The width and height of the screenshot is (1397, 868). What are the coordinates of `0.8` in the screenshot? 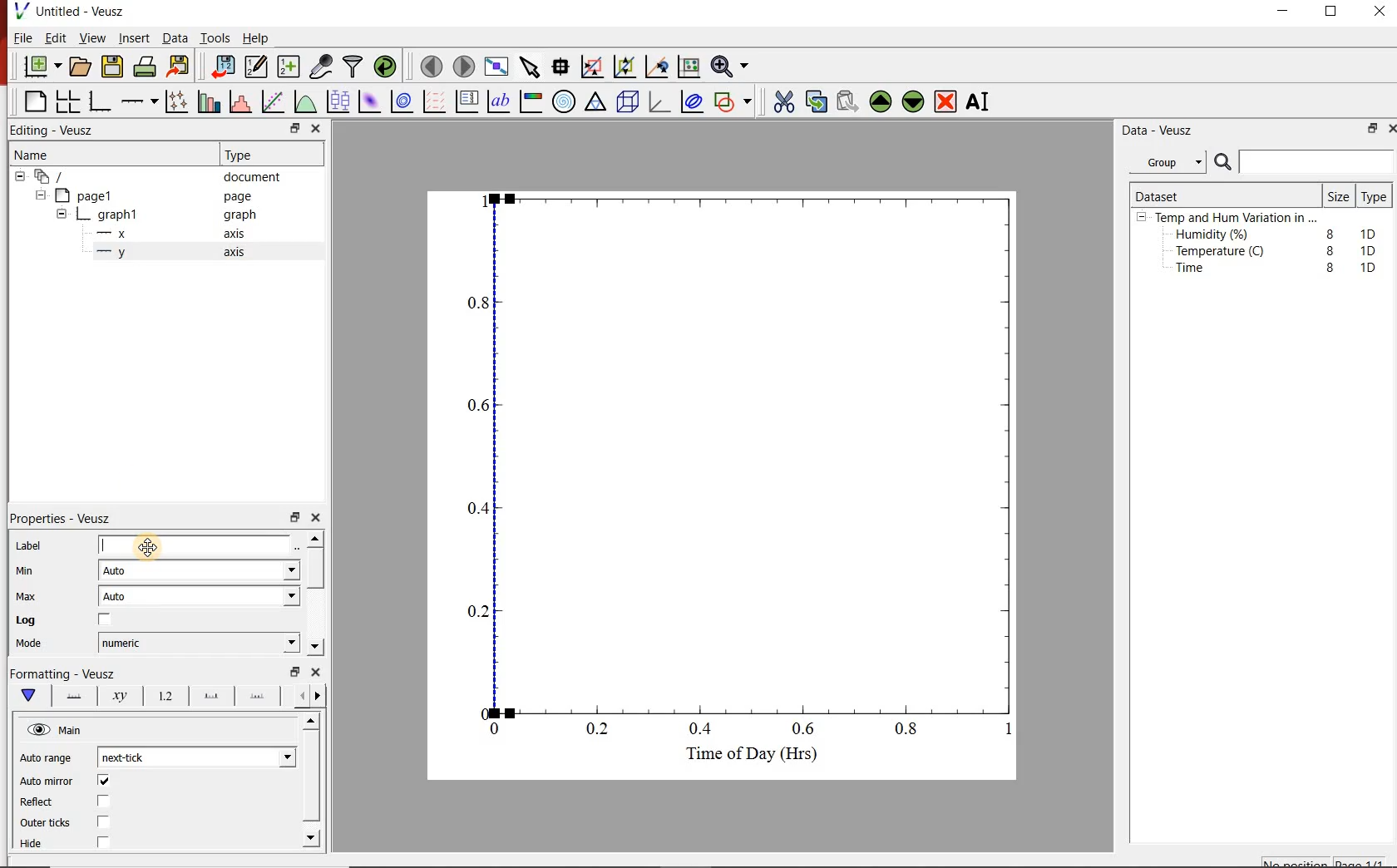 It's located at (911, 732).